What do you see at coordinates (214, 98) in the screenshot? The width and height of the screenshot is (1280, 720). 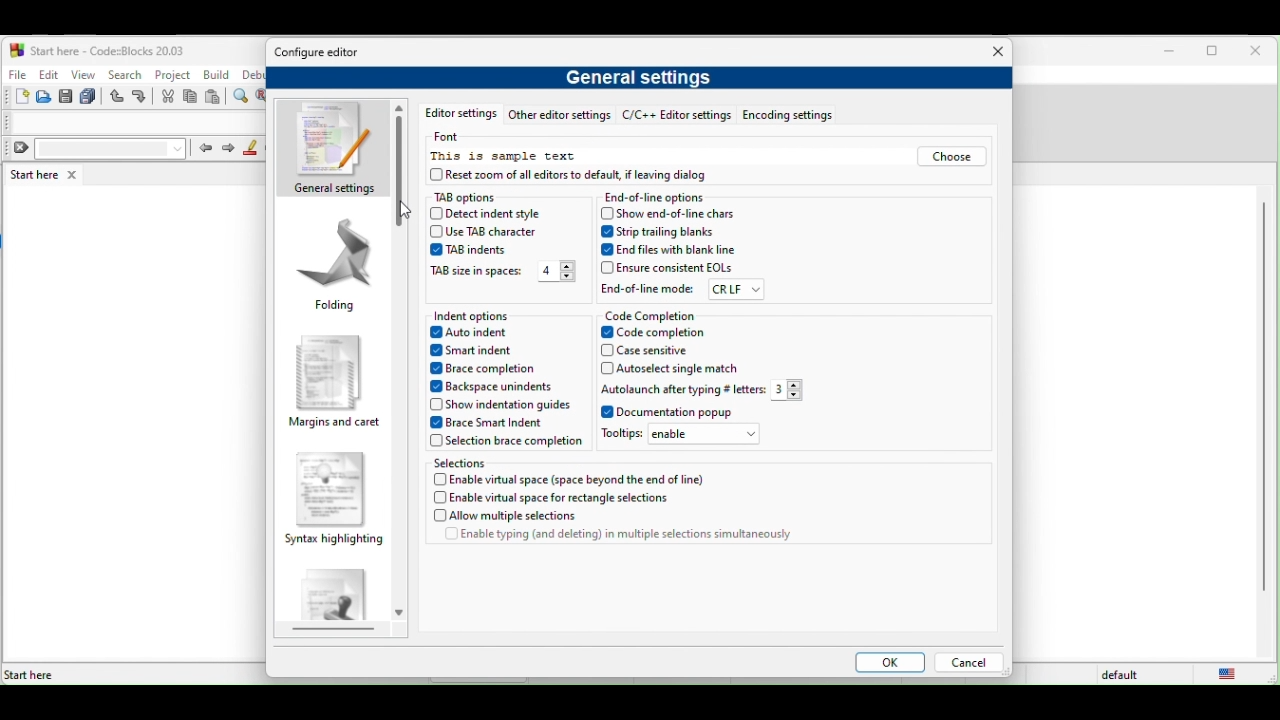 I see `paste` at bounding box center [214, 98].